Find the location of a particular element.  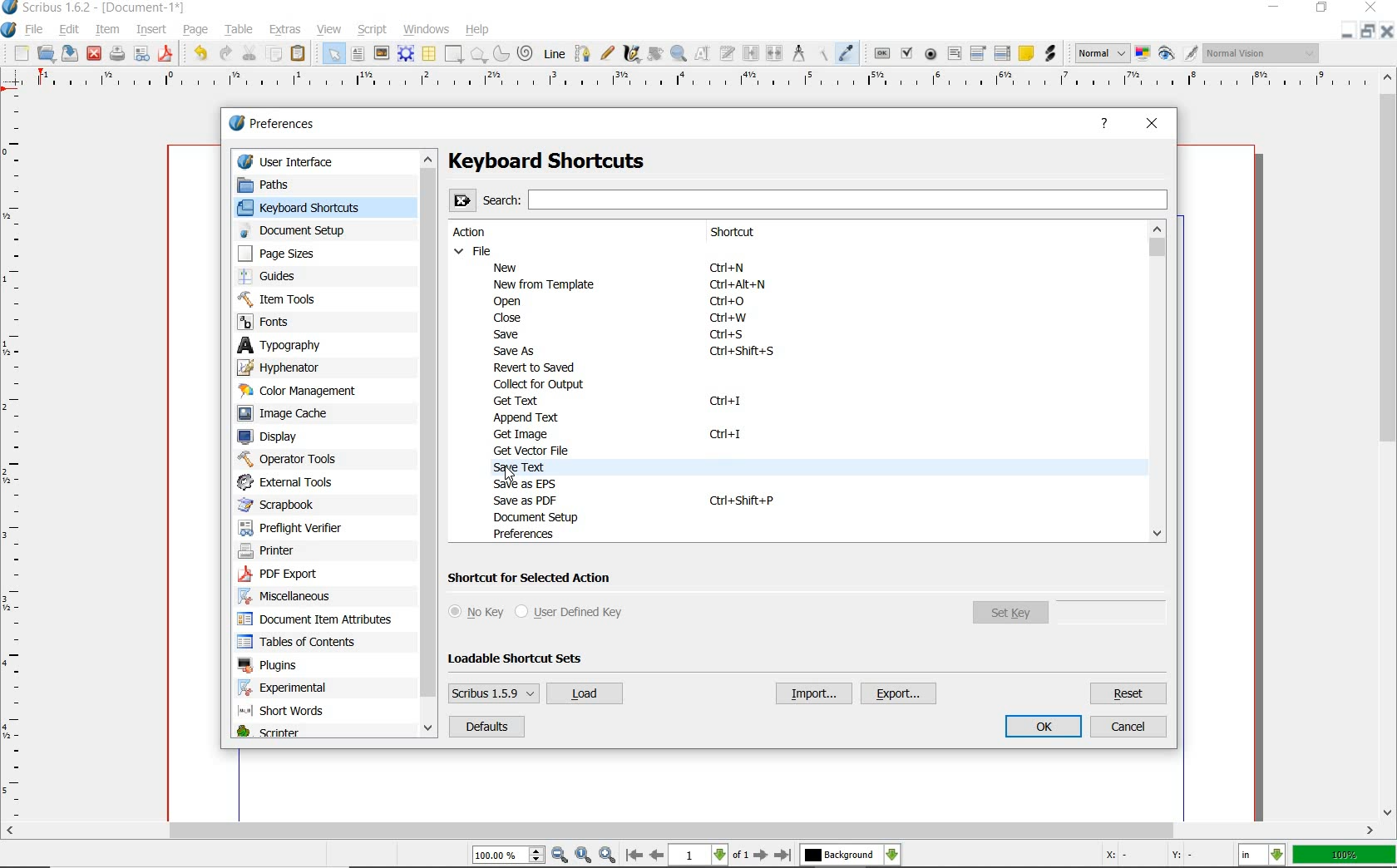

page is located at coordinates (195, 30).